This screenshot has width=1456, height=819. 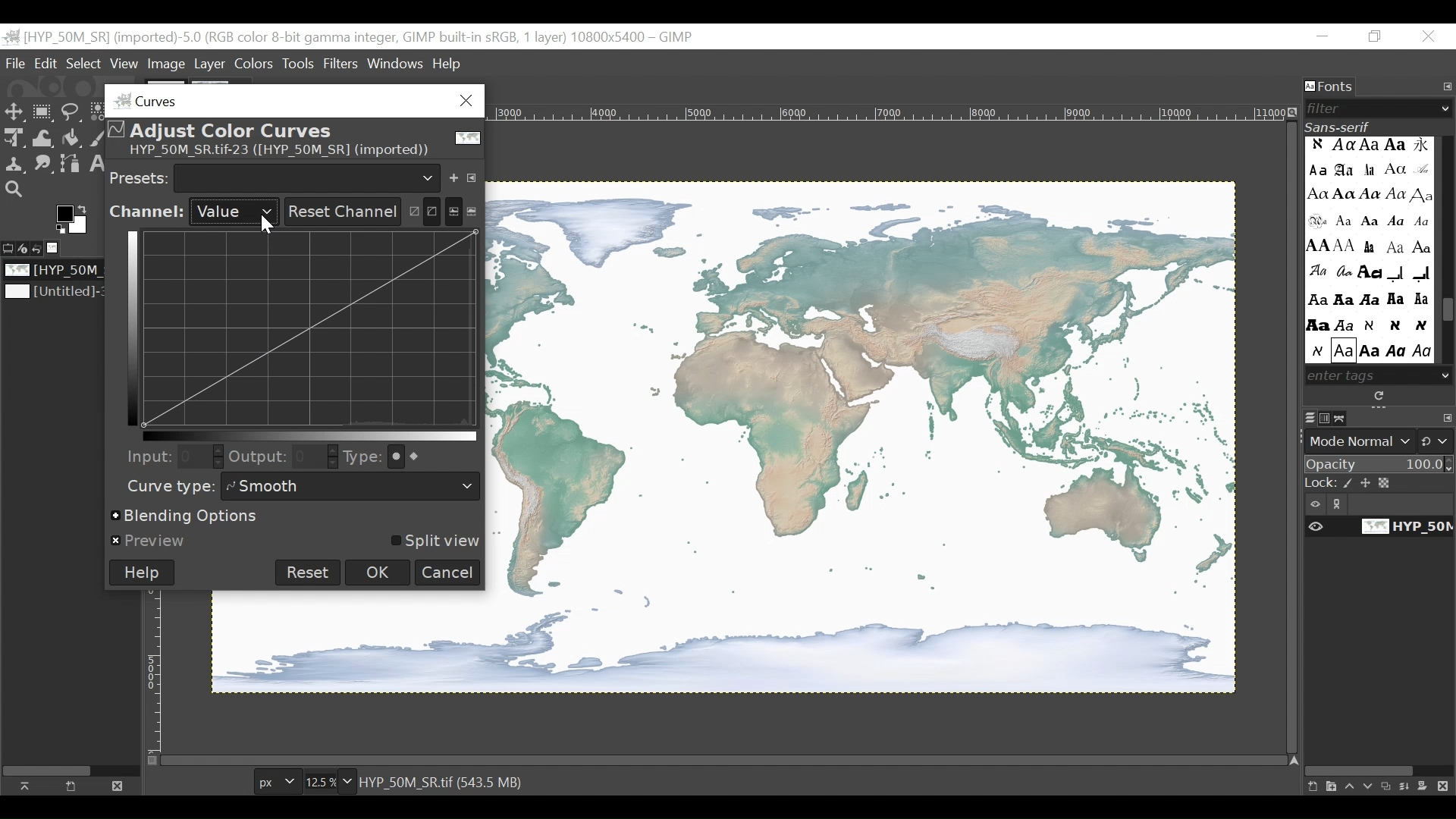 What do you see at coordinates (1447, 312) in the screenshot?
I see `Scroll bar` at bounding box center [1447, 312].